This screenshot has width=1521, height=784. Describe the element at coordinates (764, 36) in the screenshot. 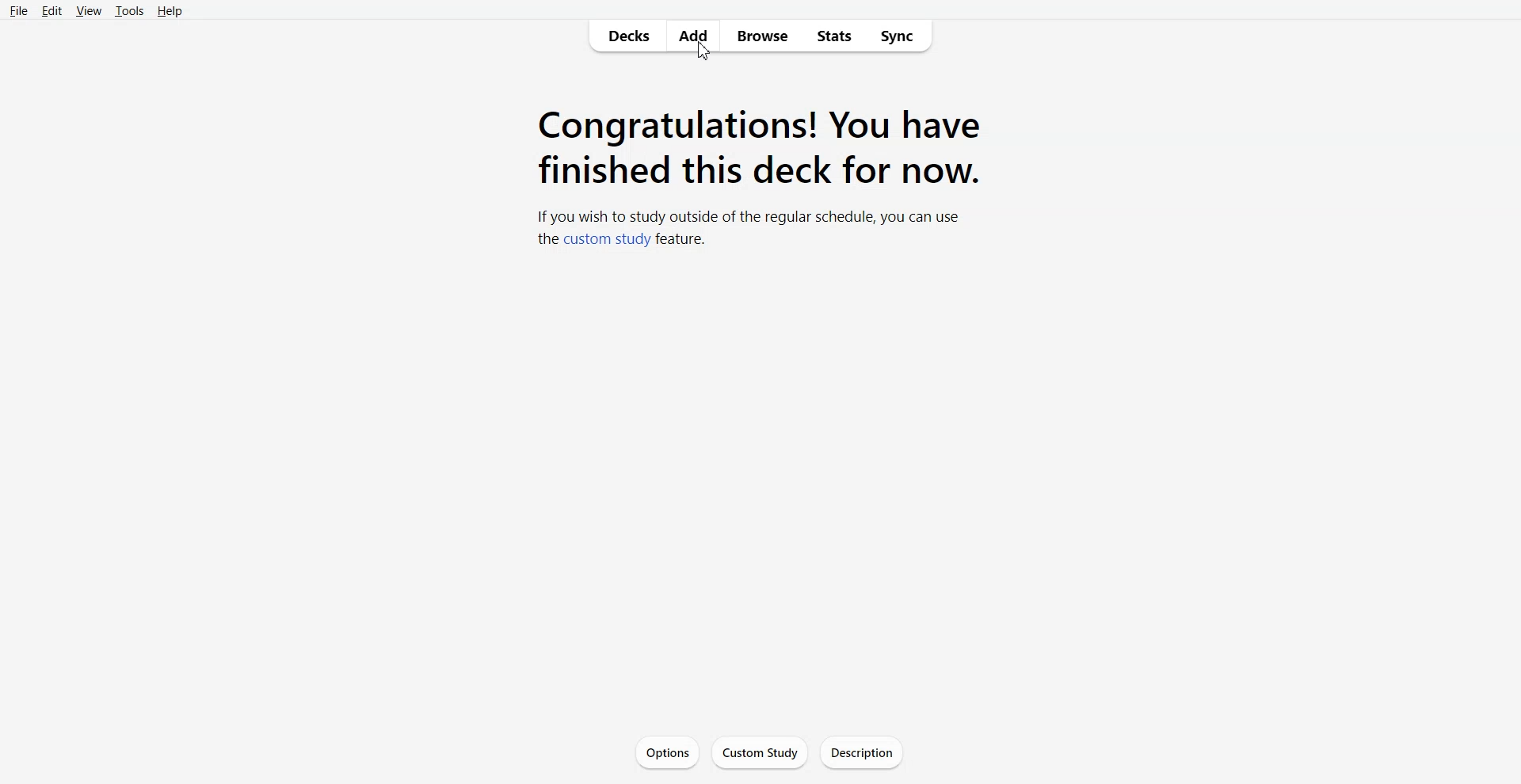

I see `Browse` at that location.